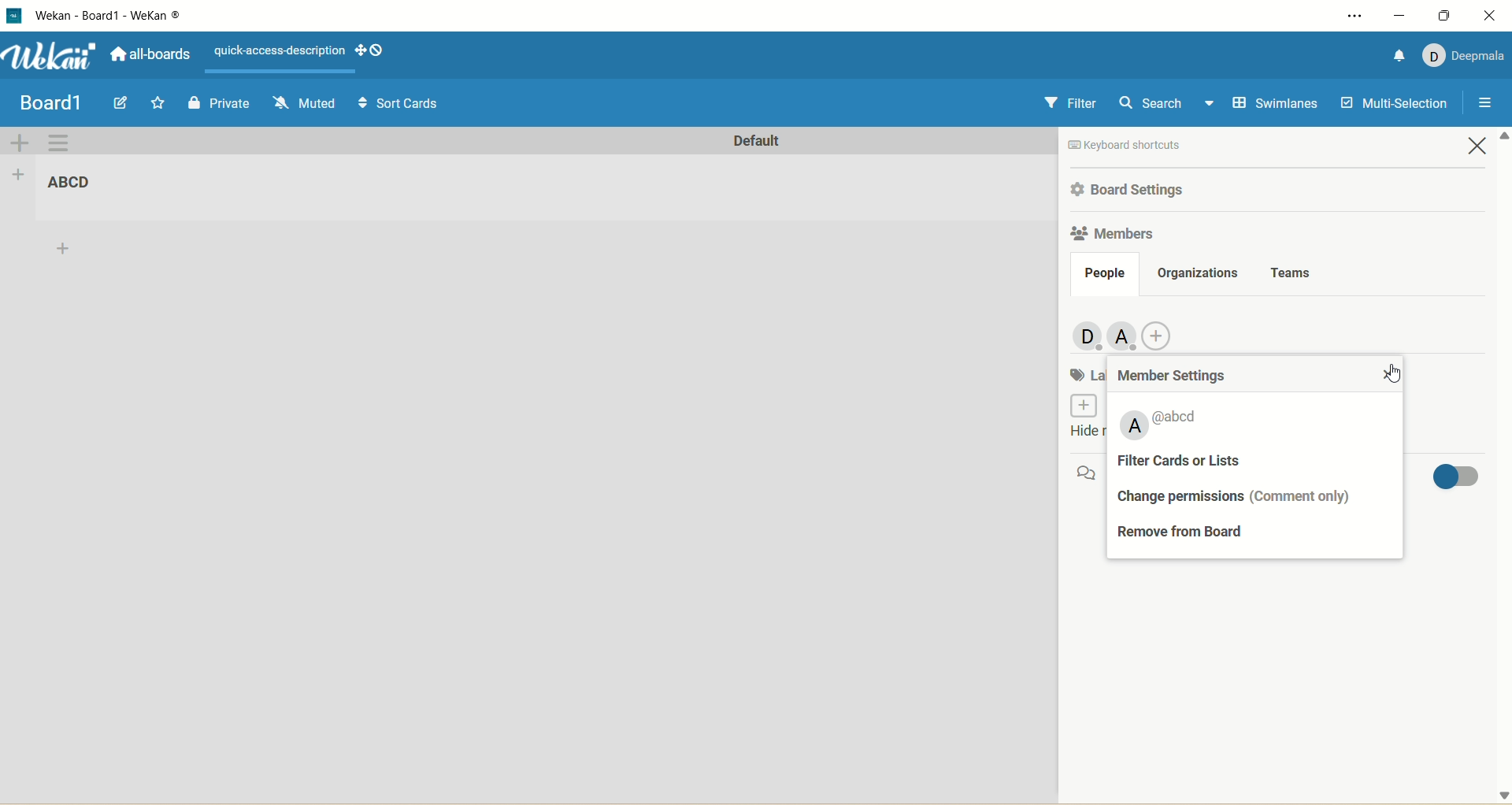 This screenshot has width=1512, height=805. What do you see at coordinates (755, 143) in the screenshot?
I see `default` at bounding box center [755, 143].